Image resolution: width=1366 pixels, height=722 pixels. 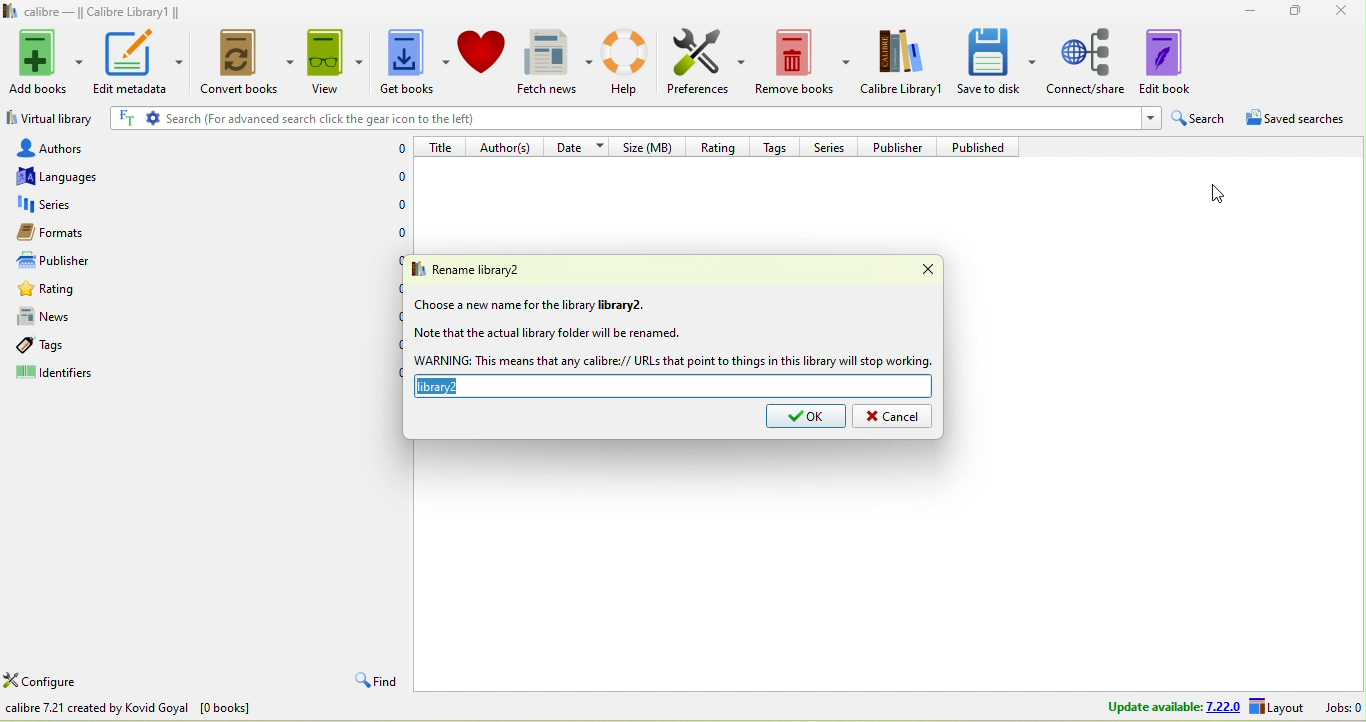 What do you see at coordinates (373, 682) in the screenshot?
I see `find` at bounding box center [373, 682].